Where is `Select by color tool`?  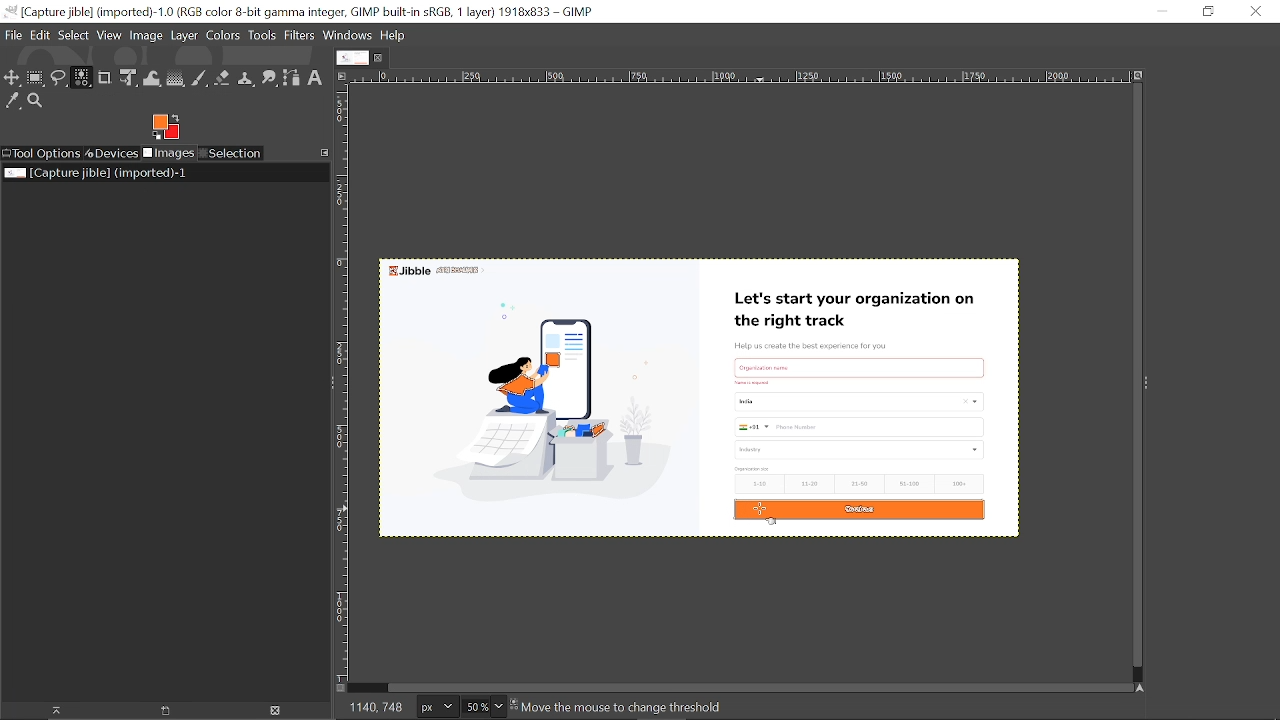 Select by color tool is located at coordinates (81, 77).